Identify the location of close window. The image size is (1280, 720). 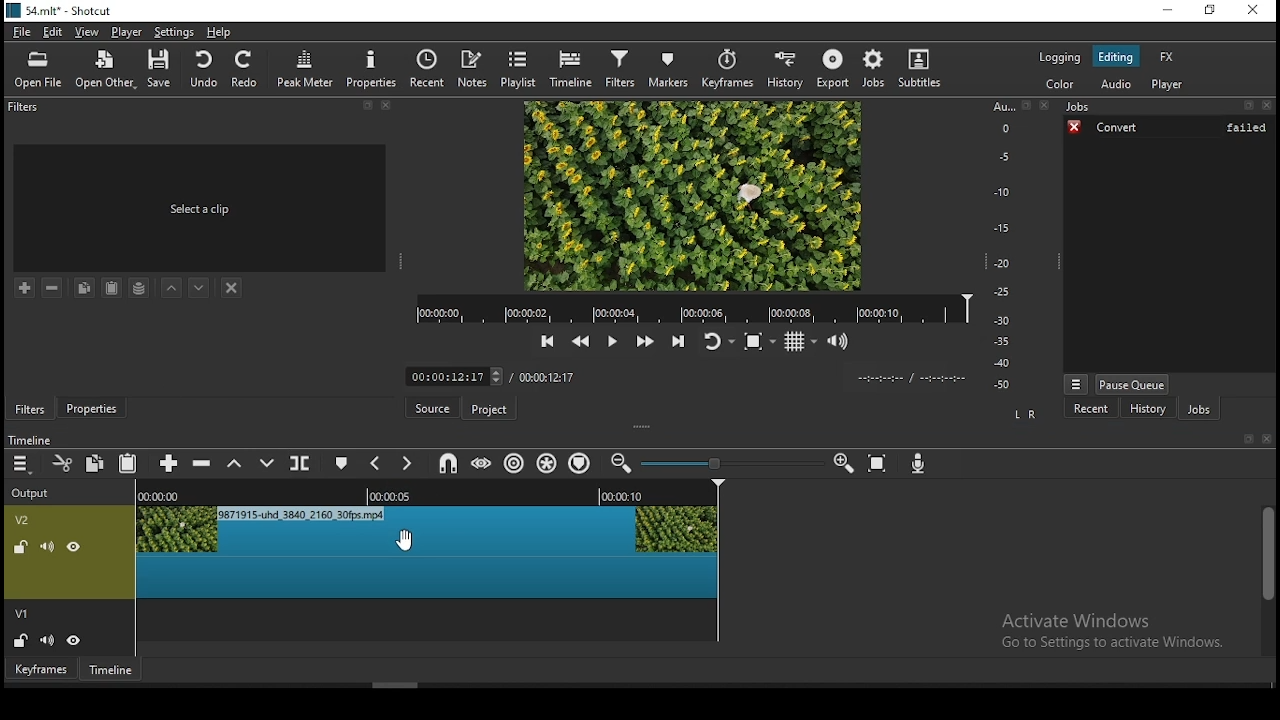
(1251, 11).